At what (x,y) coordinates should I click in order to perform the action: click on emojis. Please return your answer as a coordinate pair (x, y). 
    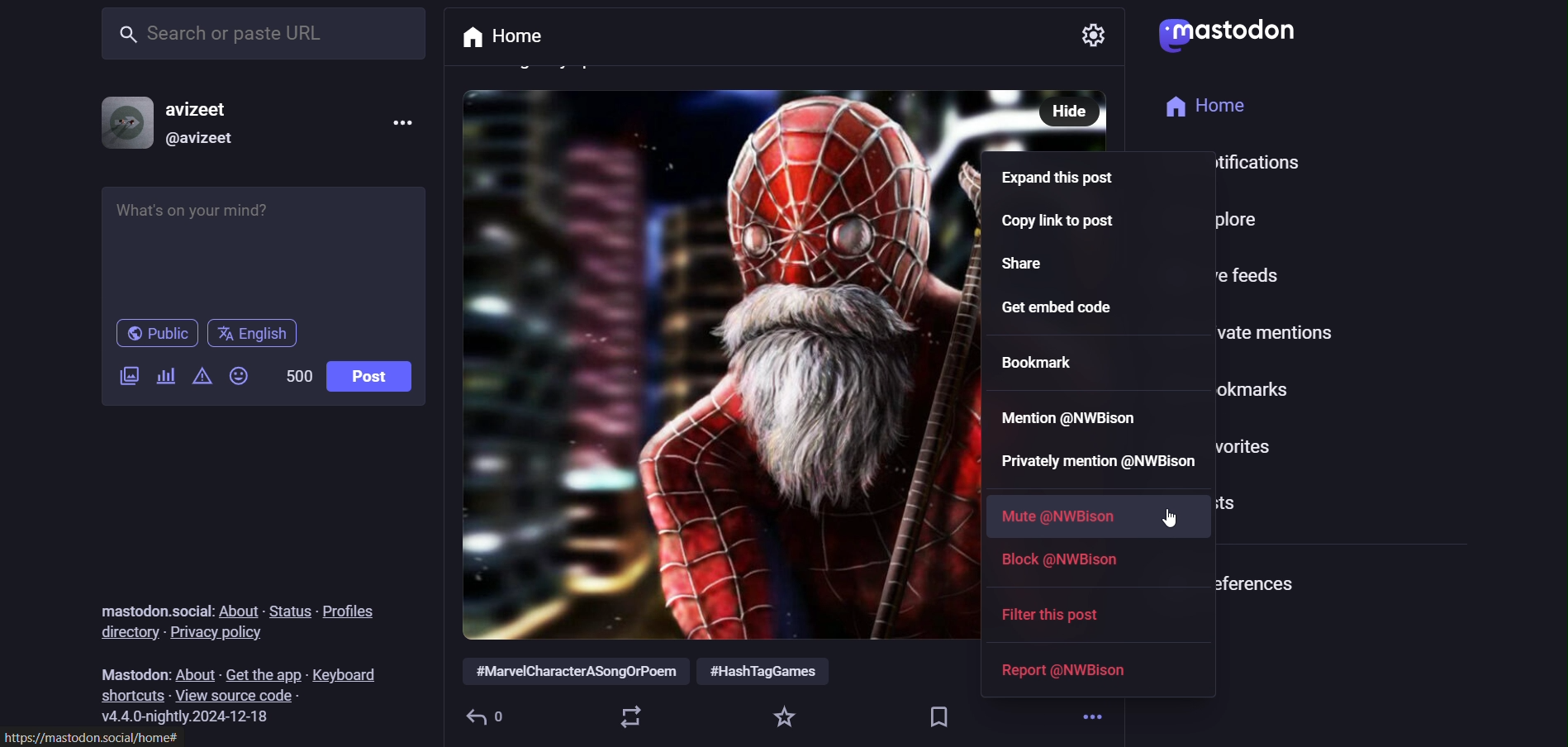
    Looking at the image, I should click on (240, 378).